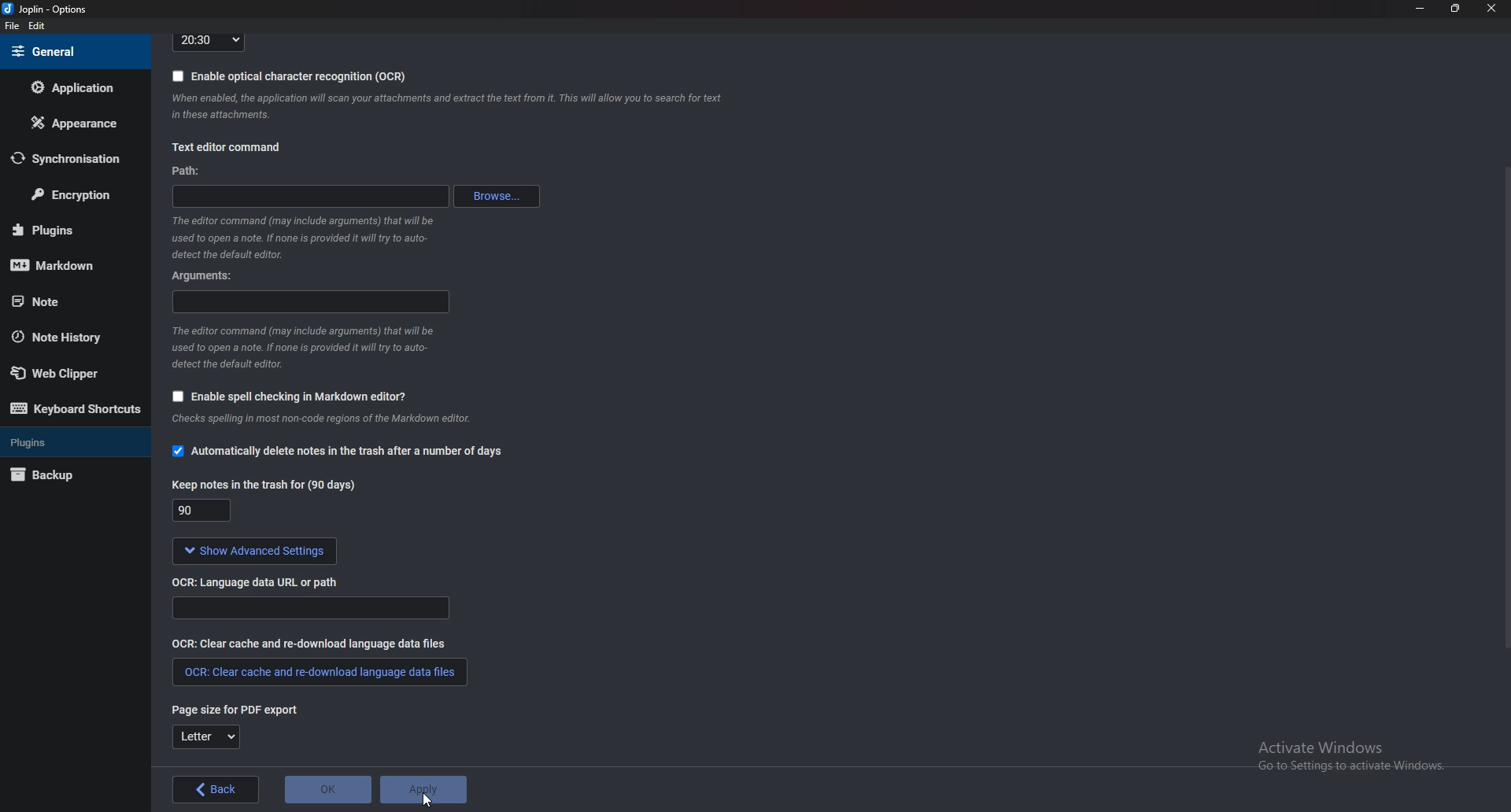  Describe the element at coordinates (226, 149) in the screenshot. I see `text editor command` at that location.